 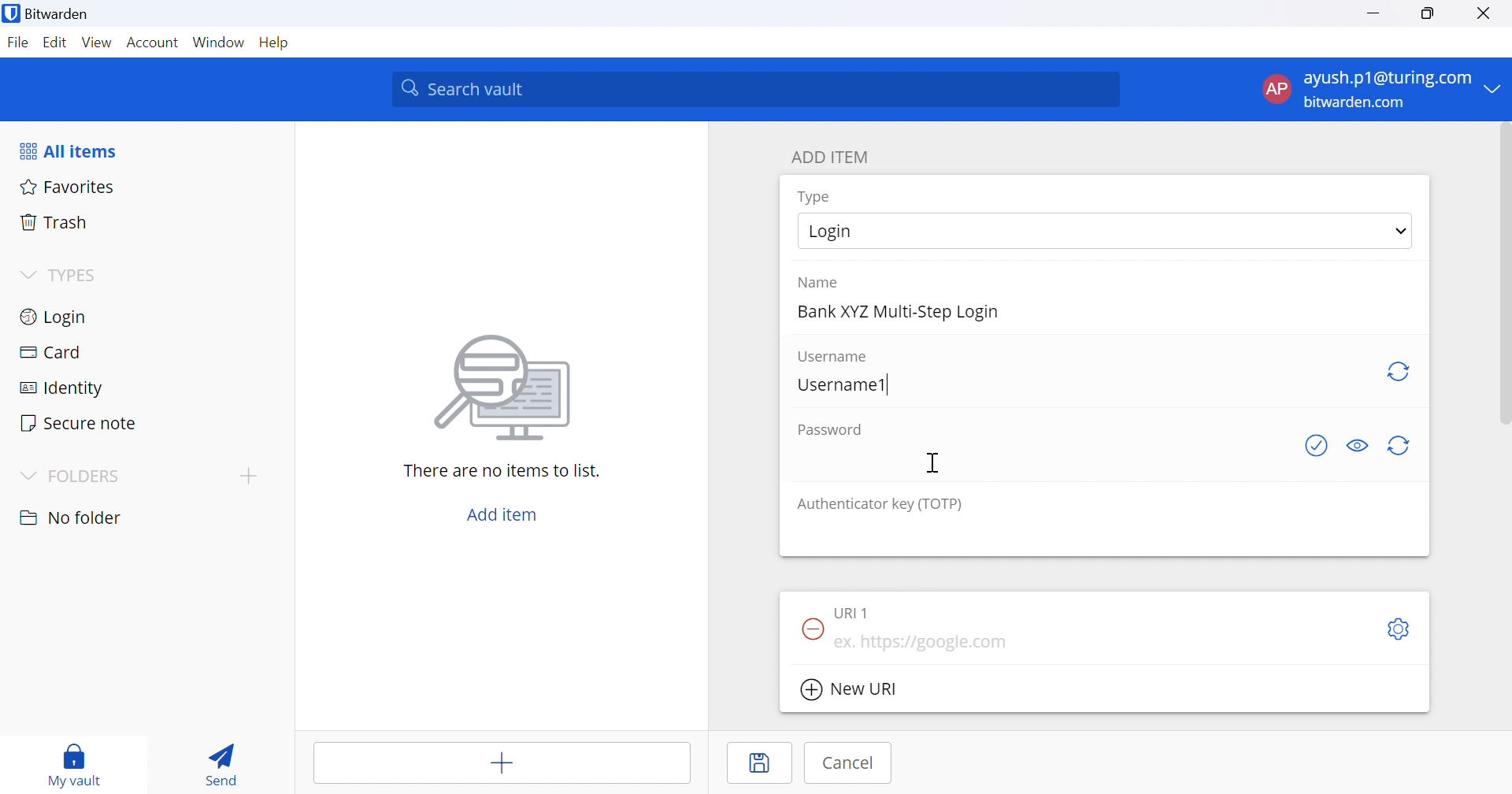 I want to click on Help, so click(x=275, y=44).